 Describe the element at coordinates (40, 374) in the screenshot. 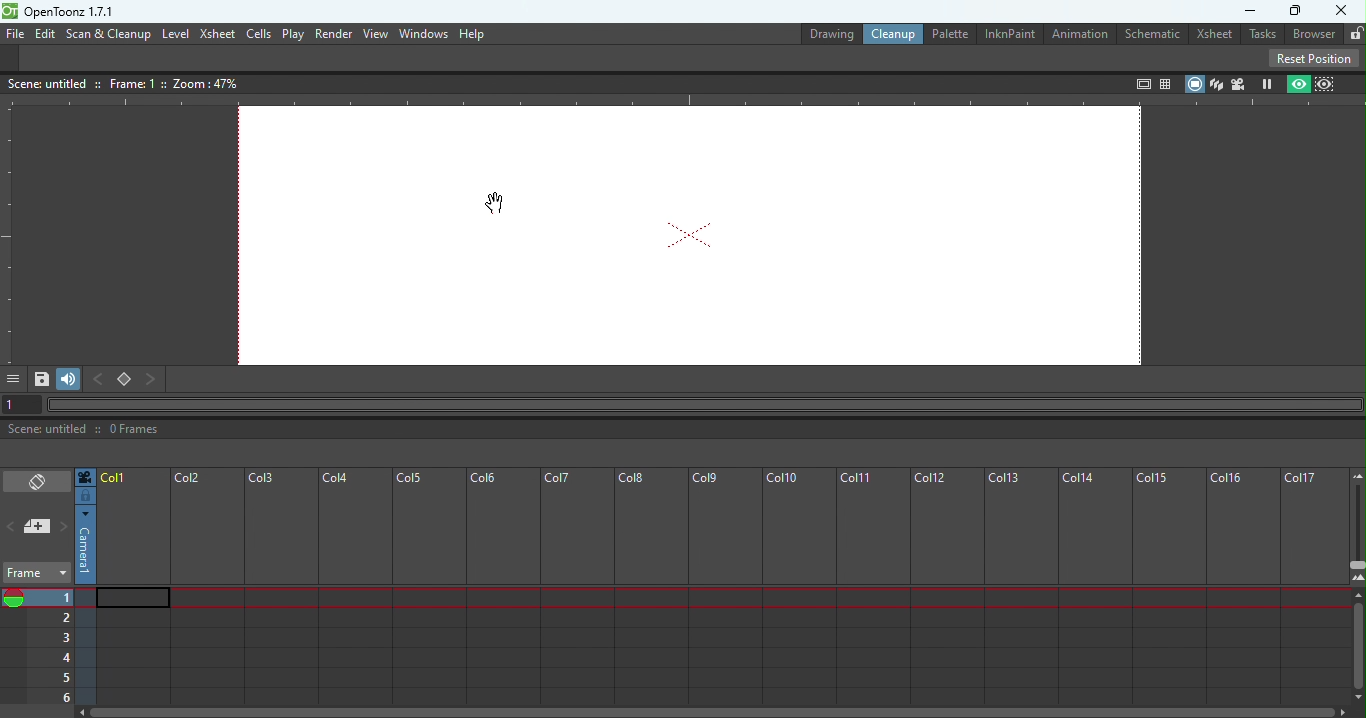

I see `Save Image` at that location.